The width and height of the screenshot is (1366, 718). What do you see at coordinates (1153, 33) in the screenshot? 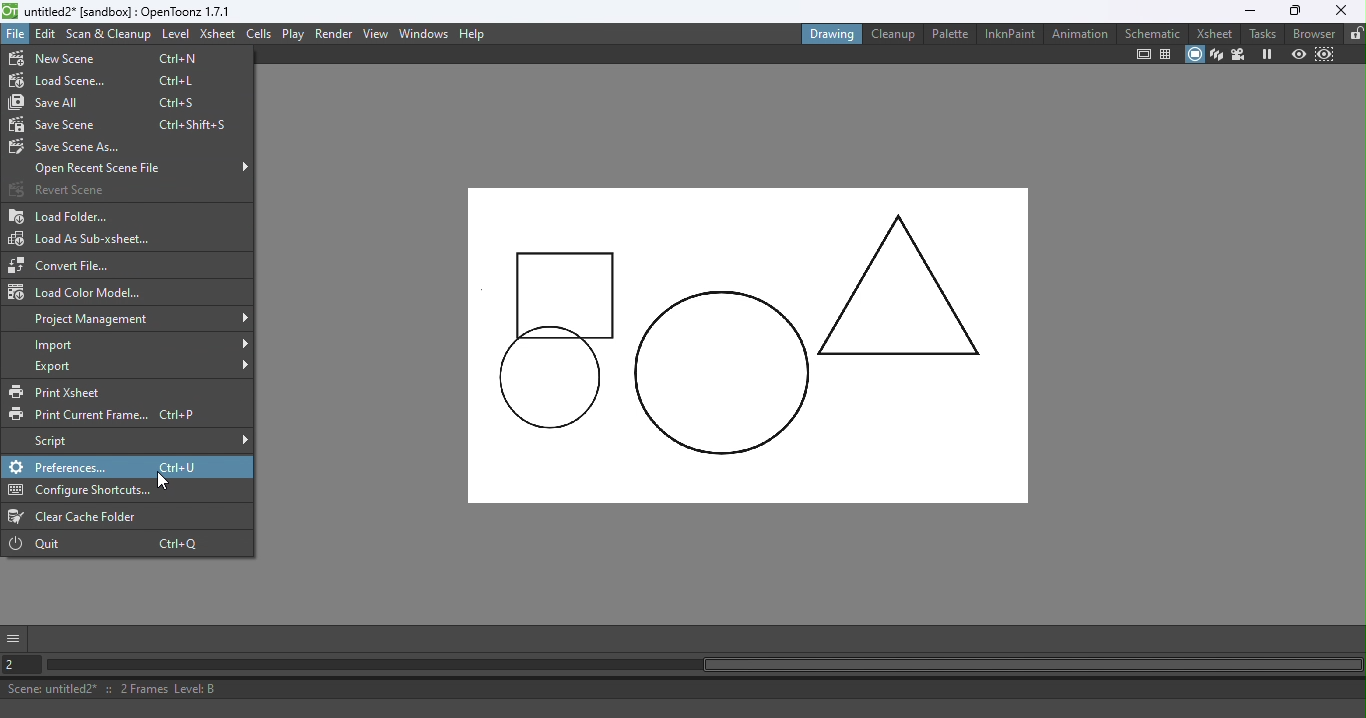
I see `Schematic` at bounding box center [1153, 33].